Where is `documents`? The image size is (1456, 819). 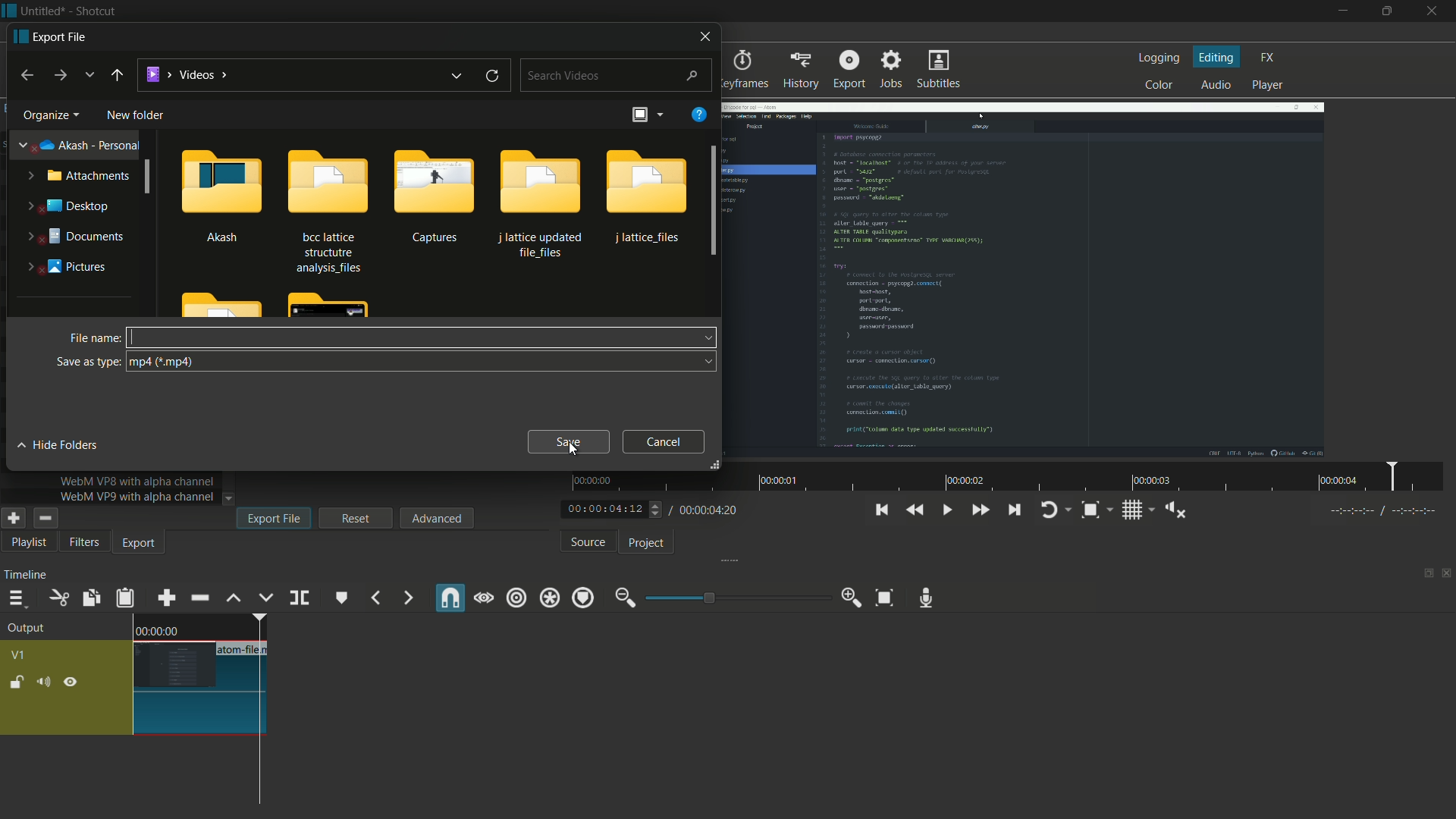
documents is located at coordinates (72, 237).